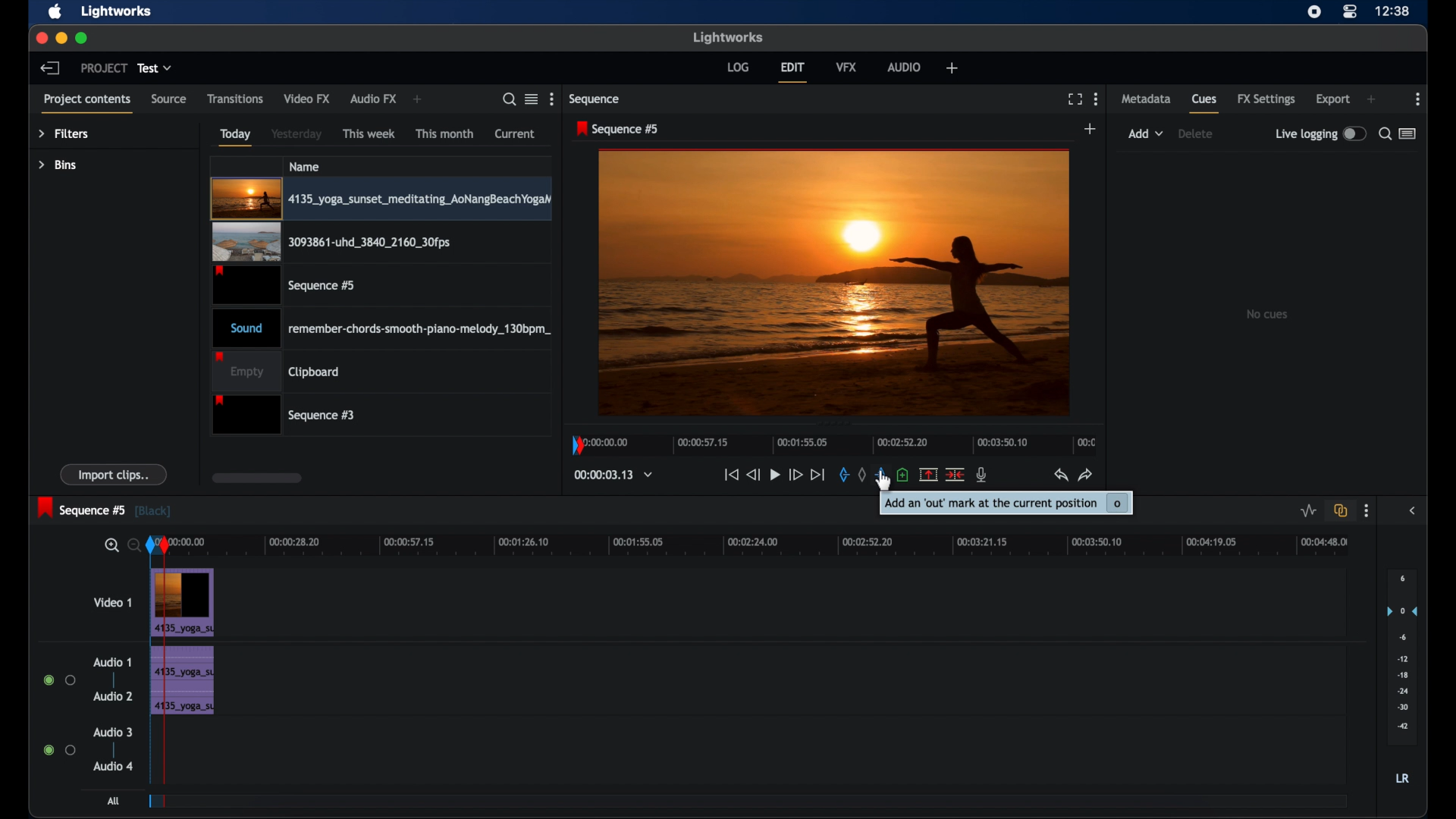 The width and height of the screenshot is (1456, 819). I want to click on full screen, so click(1075, 98).